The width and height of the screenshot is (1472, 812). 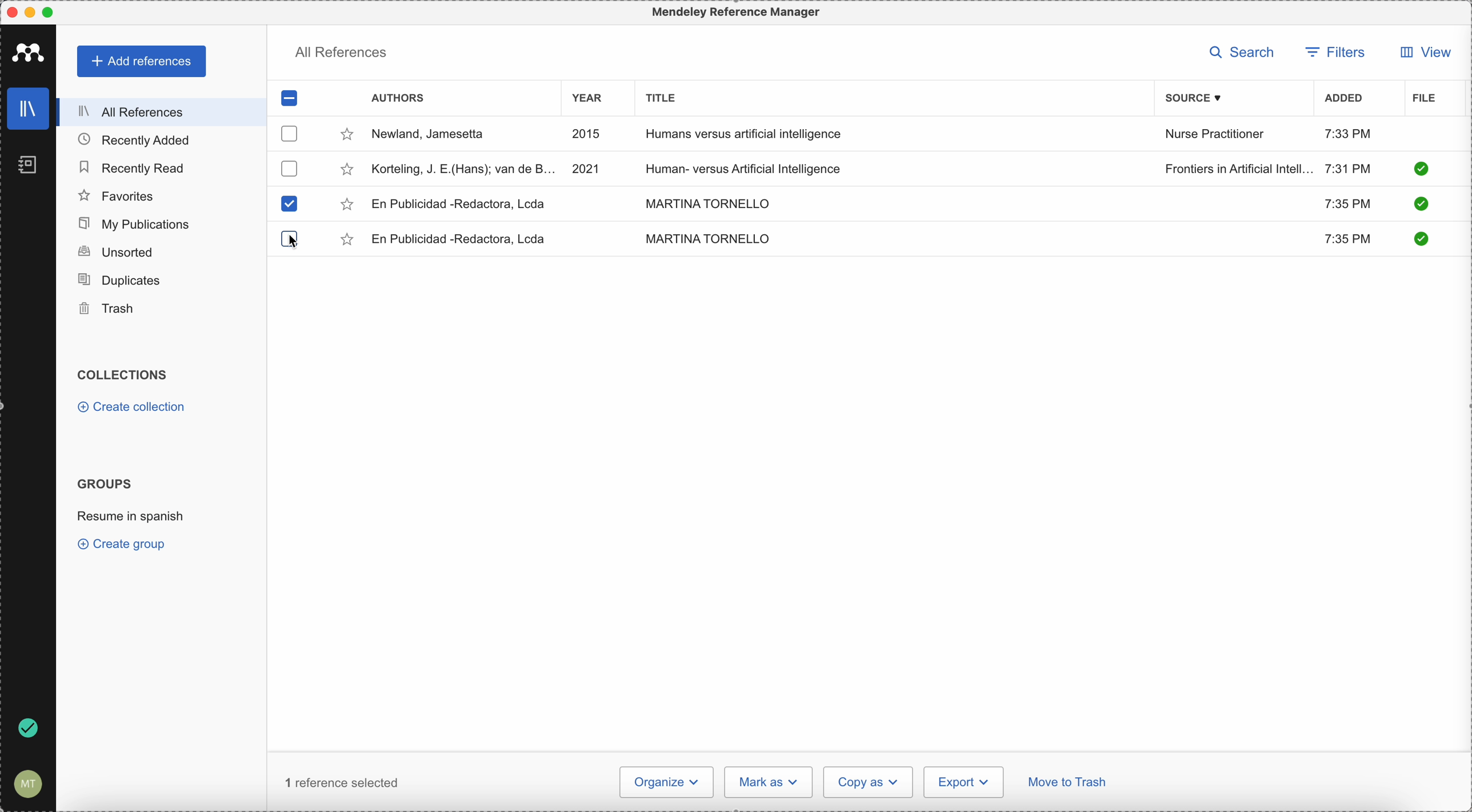 What do you see at coordinates (1419, 205) in the screenshot?
I see `check it` at bounding box center [1419, 205].